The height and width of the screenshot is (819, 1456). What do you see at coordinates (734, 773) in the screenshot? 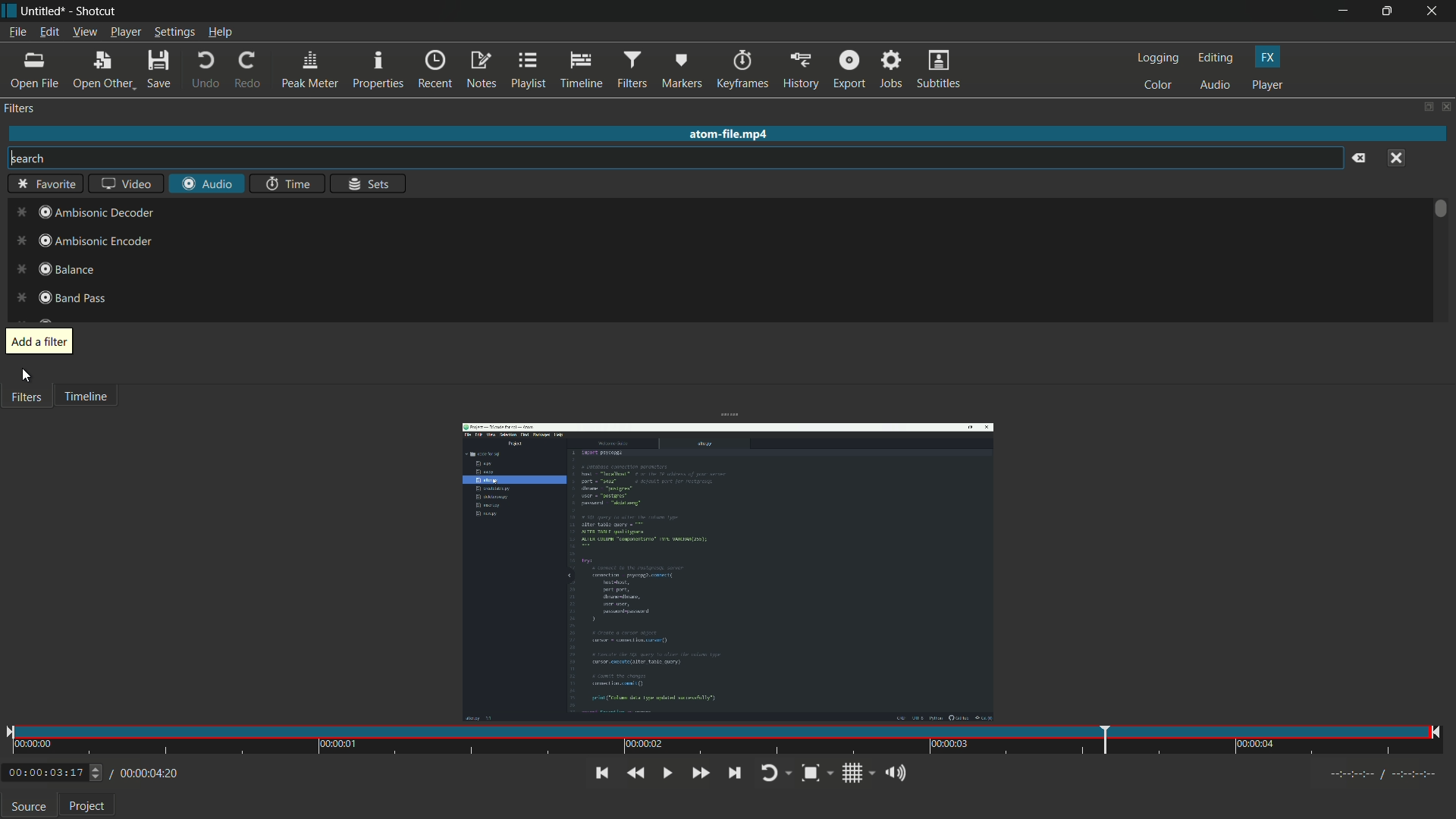
I see `skip to next point` at bounding box center [734, 773].